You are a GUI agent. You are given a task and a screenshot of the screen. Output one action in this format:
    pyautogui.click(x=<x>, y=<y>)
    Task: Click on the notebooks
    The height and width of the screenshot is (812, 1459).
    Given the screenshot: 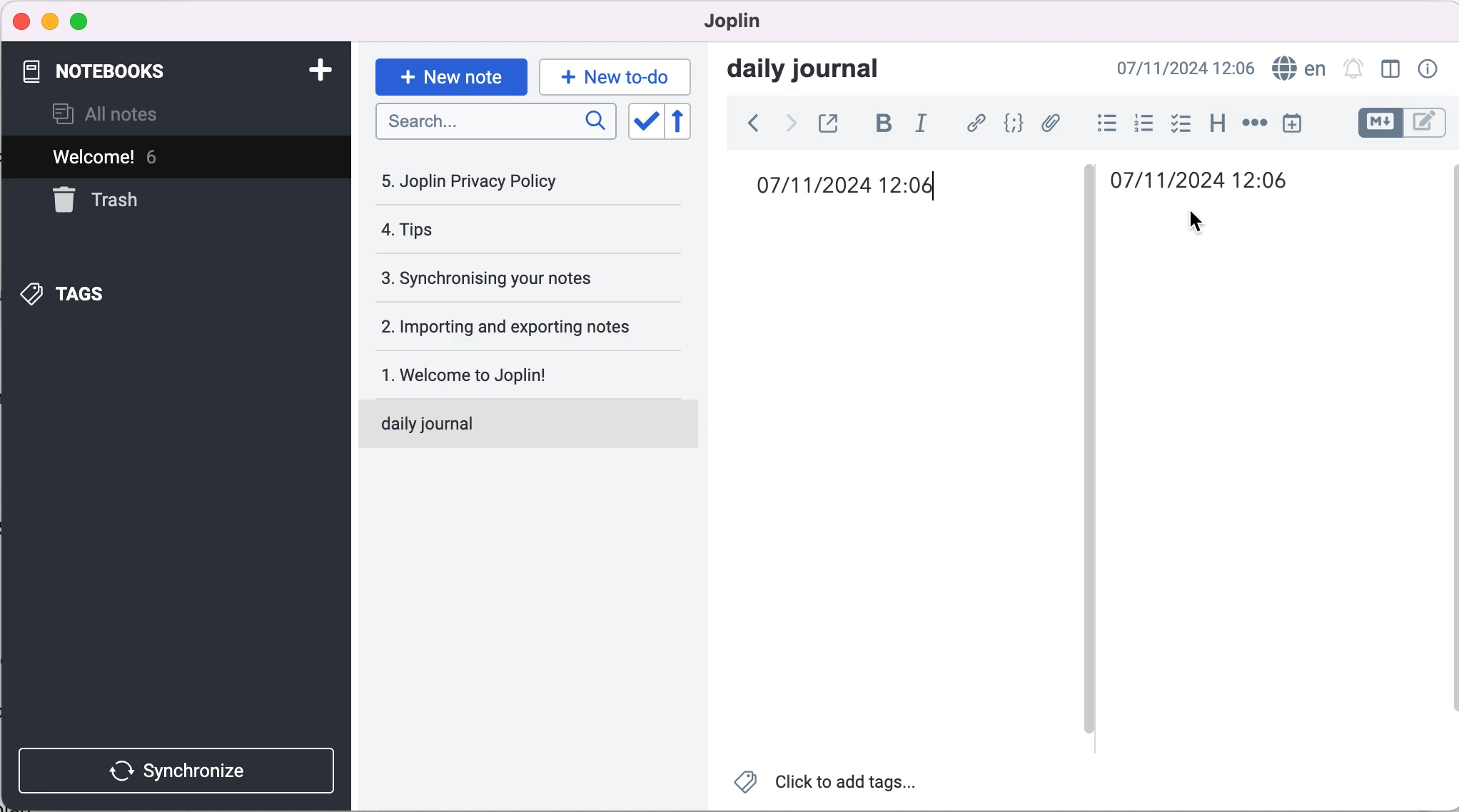 What is the action you would take?
    pyautogui.click(x=106, y=72)
    